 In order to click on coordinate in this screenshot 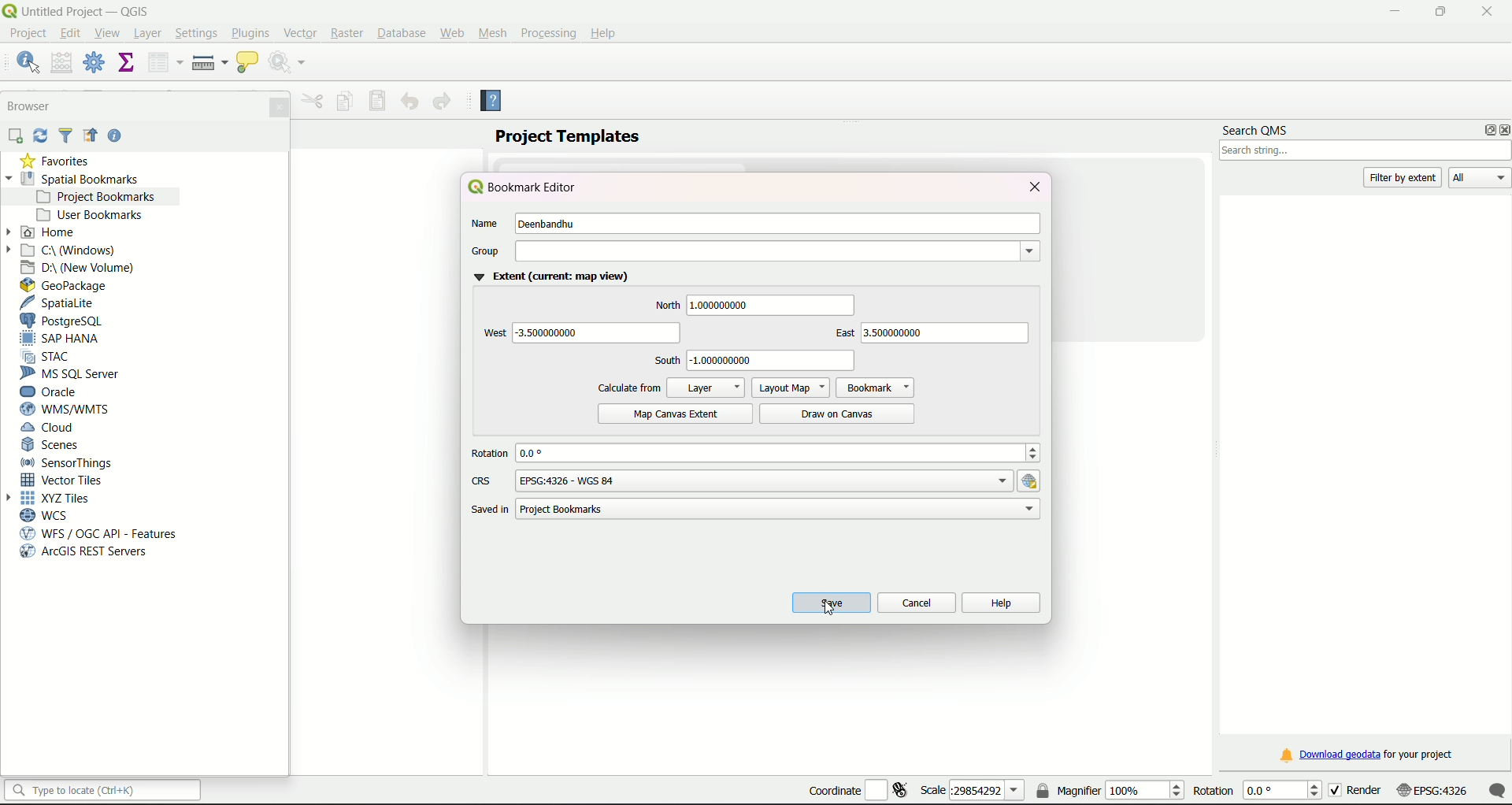, I will do `click(857, 787)`.